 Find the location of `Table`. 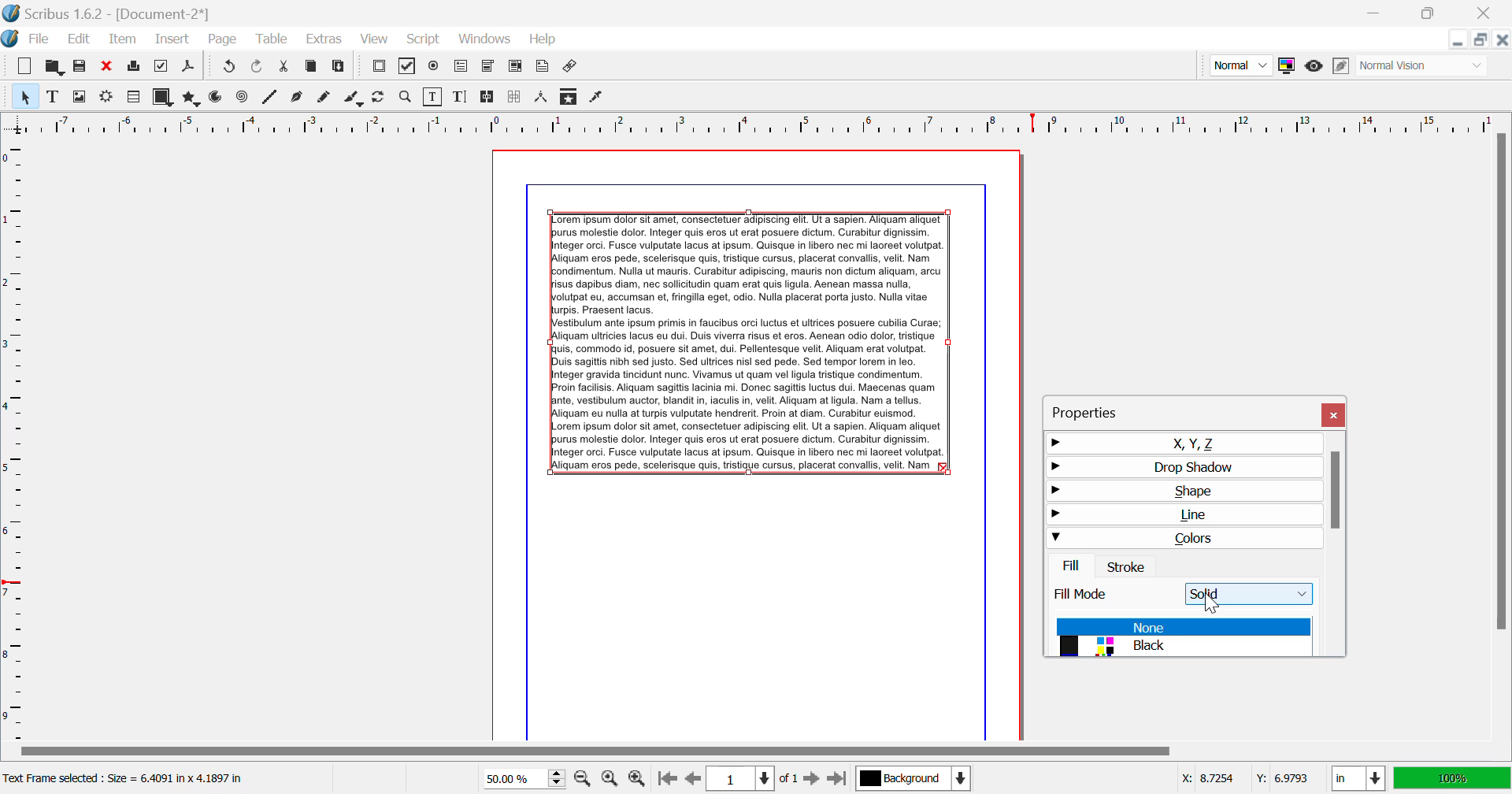

Table is located at coordinates (273, 40).